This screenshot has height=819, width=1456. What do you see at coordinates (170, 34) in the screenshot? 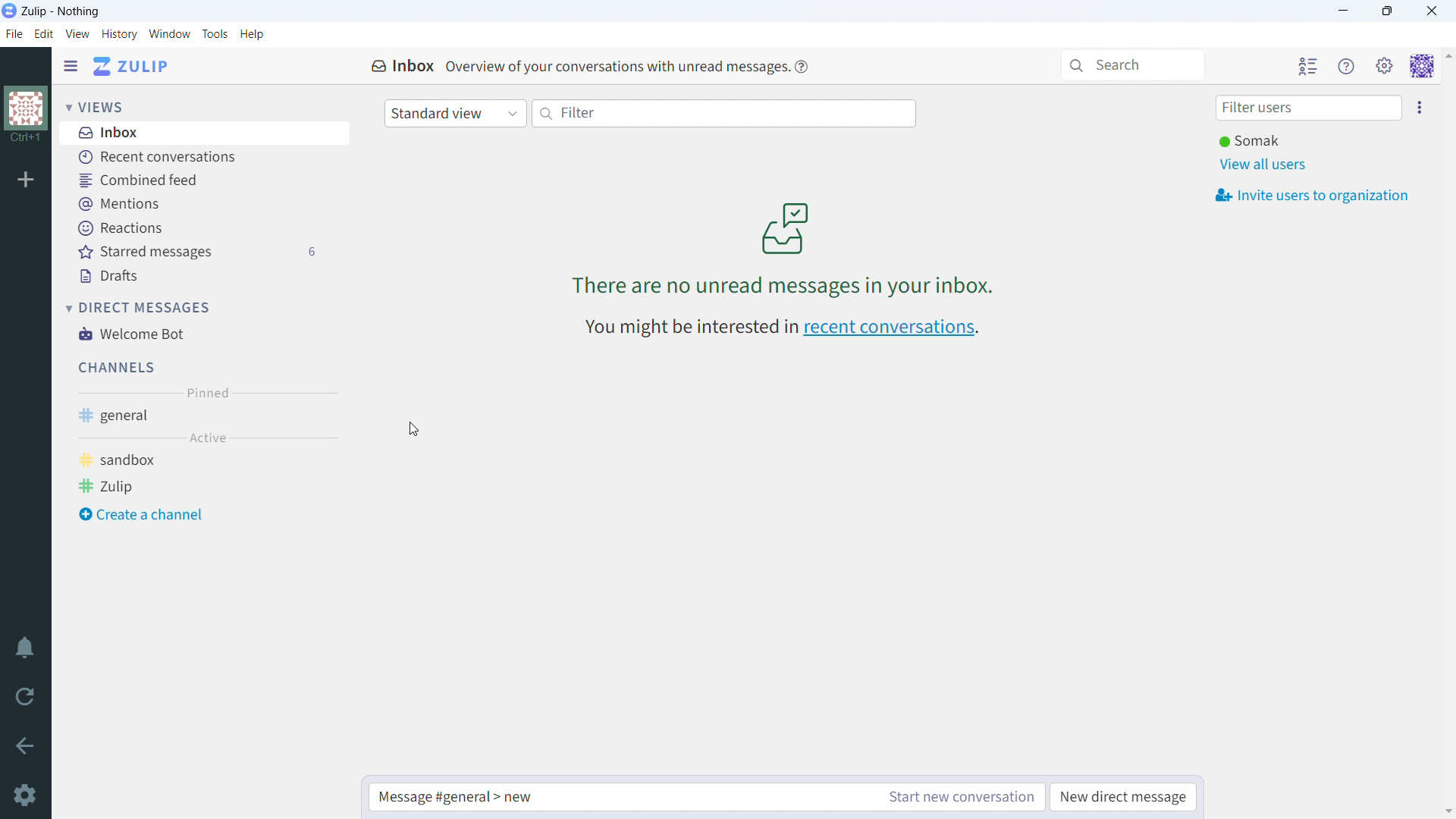
I see `window` at bounding box center [170, 34].